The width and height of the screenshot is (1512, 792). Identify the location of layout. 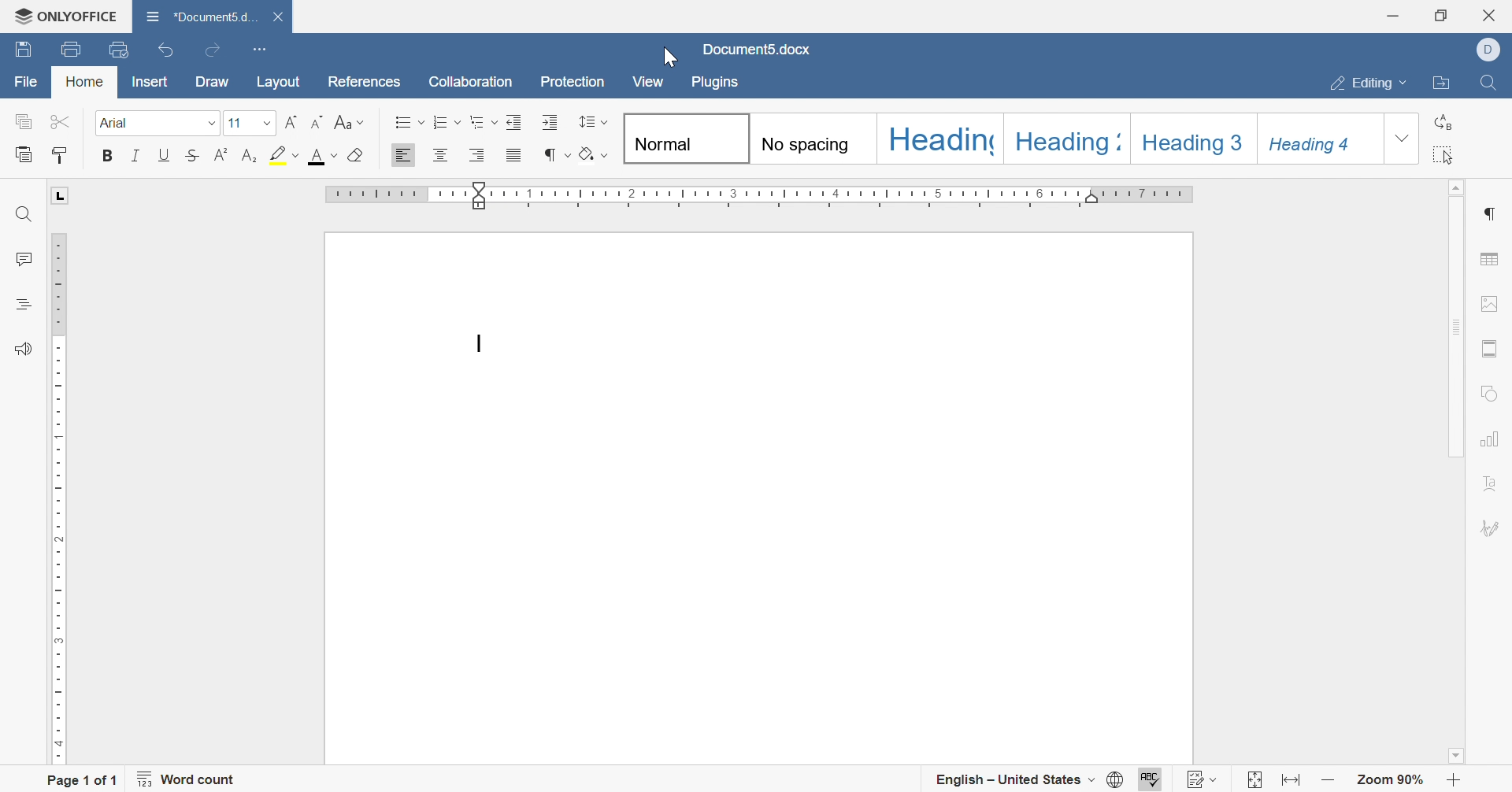
(281, 81).